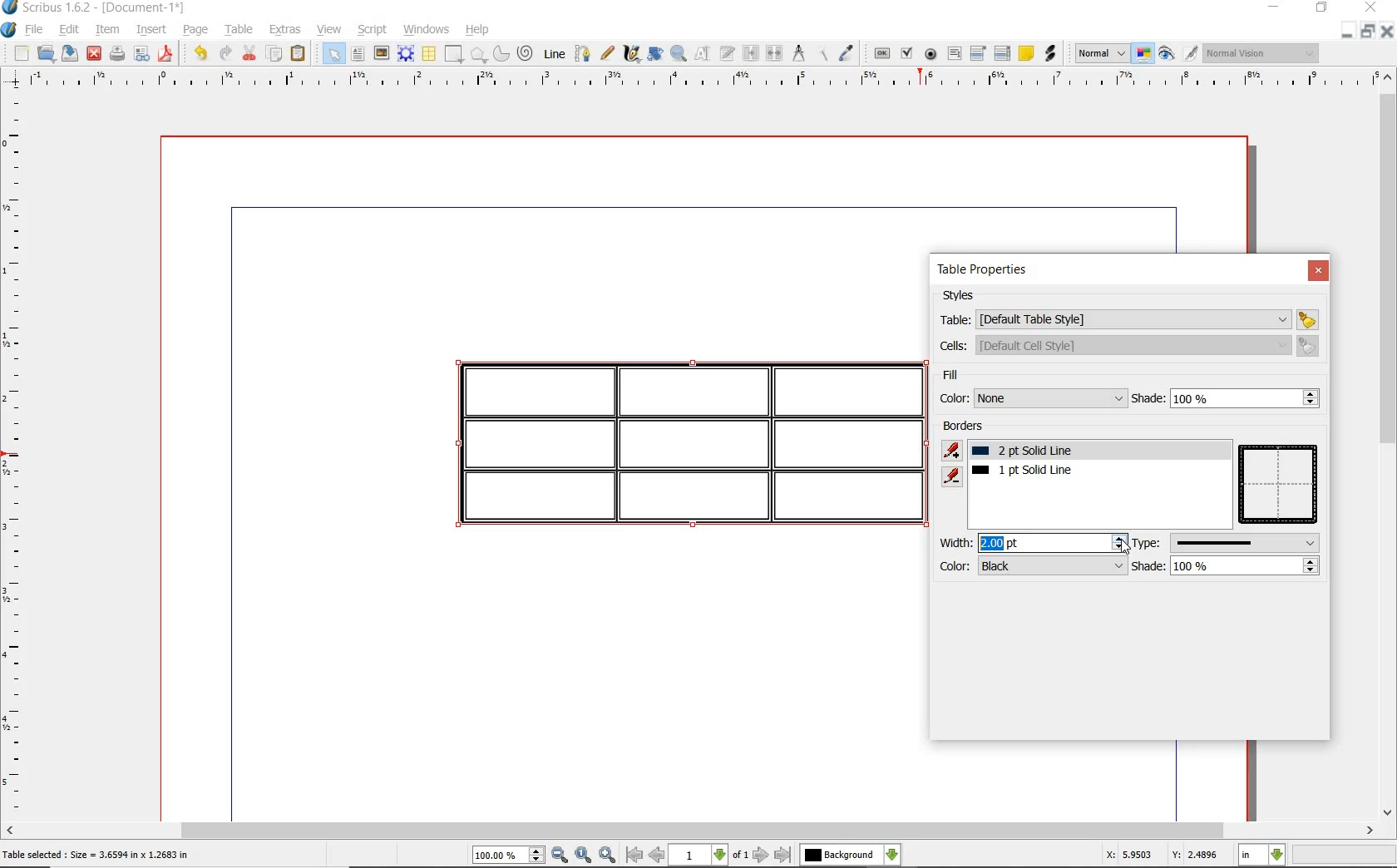 This screenshot has width=1397, height=868. What do you see at coordinates (1348, 31) in the screenshot?
I see `MINIMIZE` at bounding box center [1348, 31].